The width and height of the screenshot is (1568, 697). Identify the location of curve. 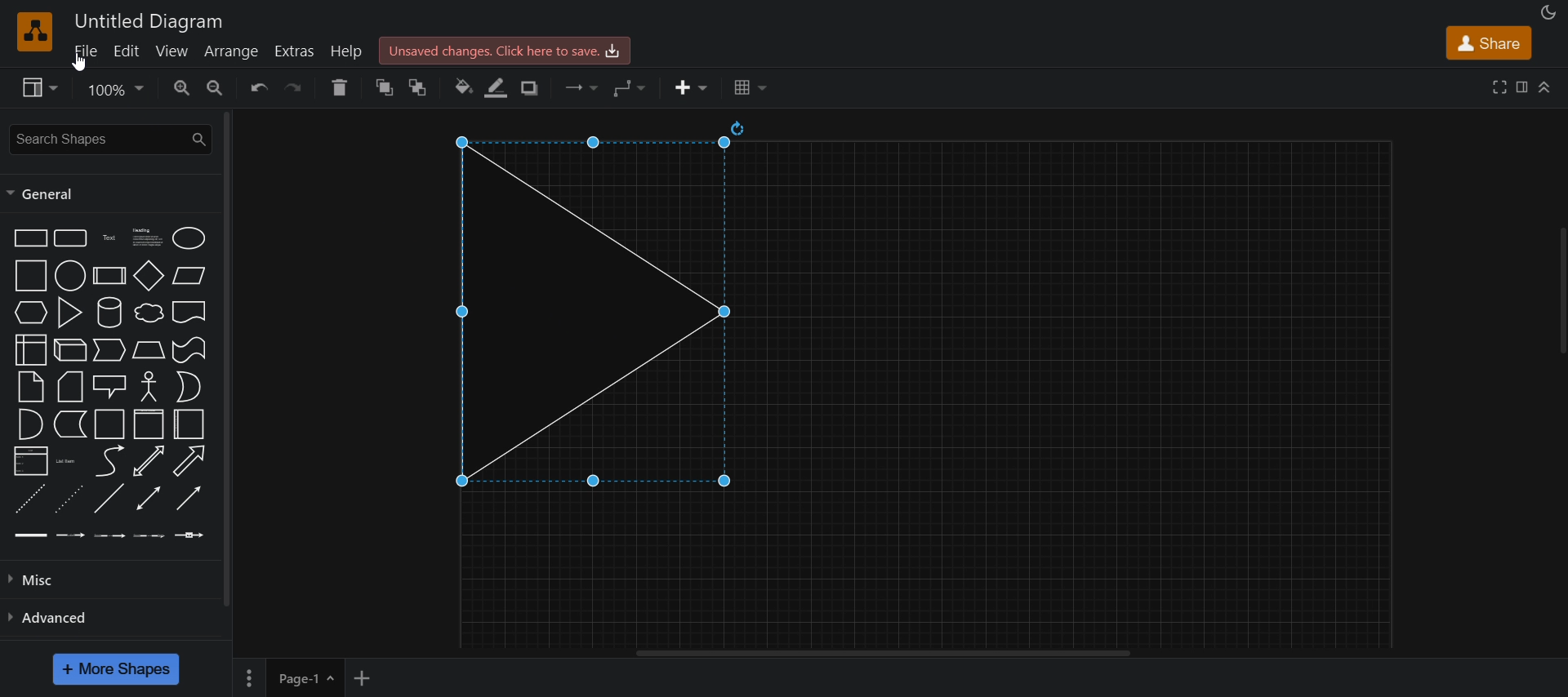
(105, 460).